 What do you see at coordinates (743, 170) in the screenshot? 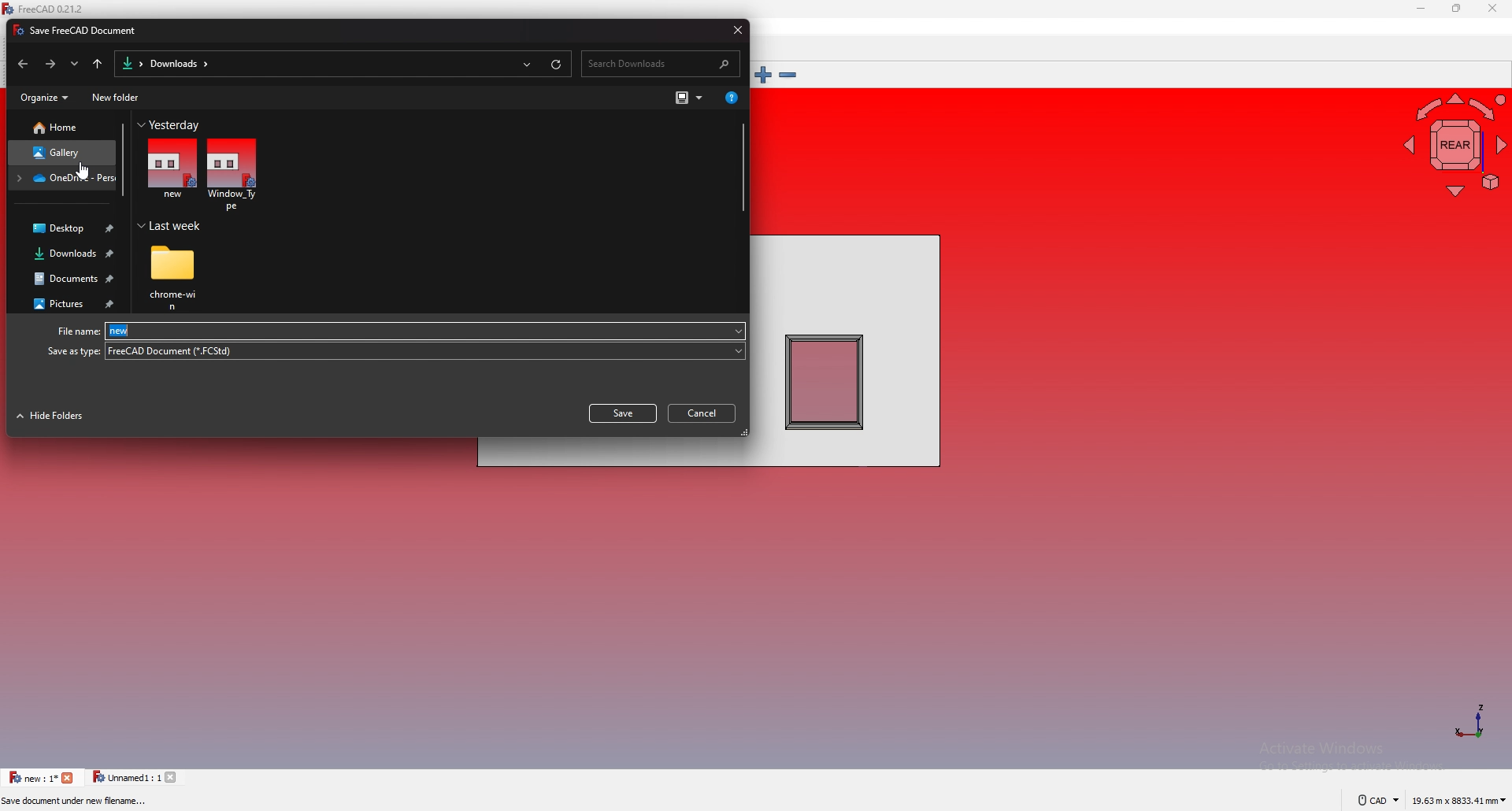
I see `scroll bar` at bounding box center [743, 170].